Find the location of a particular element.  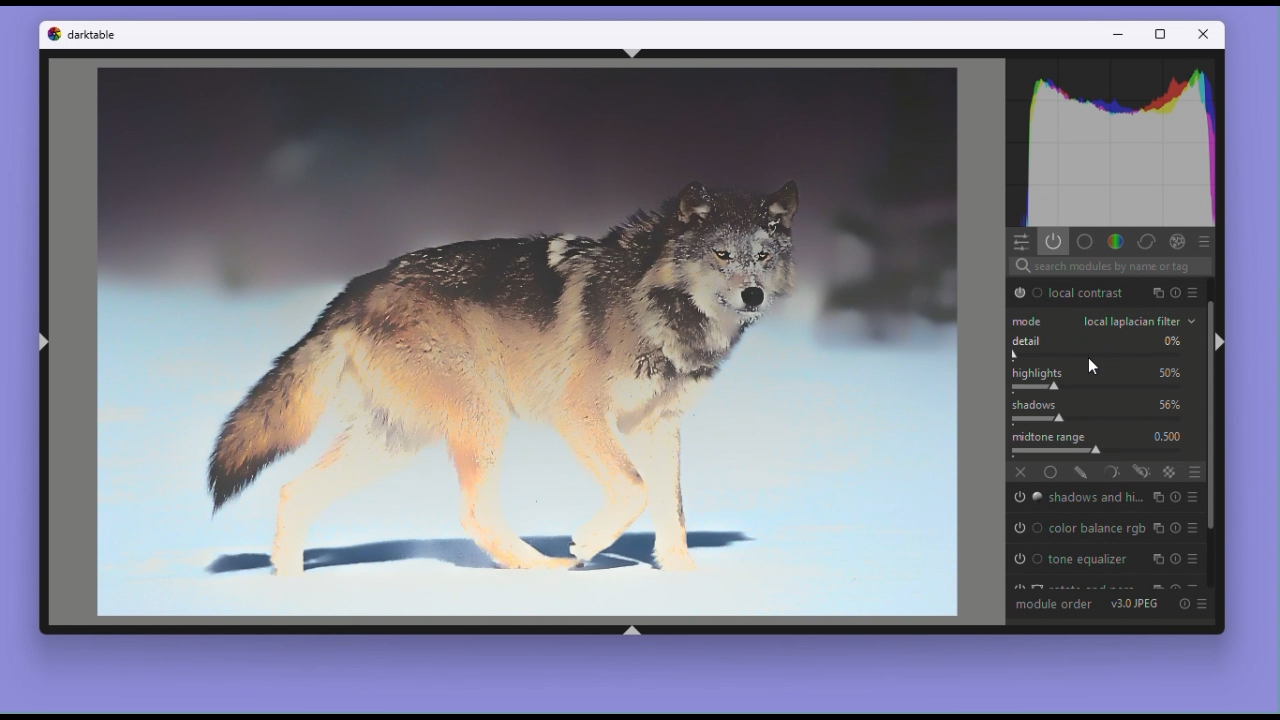

Parametric mask is located at coordinates (1110, 473).